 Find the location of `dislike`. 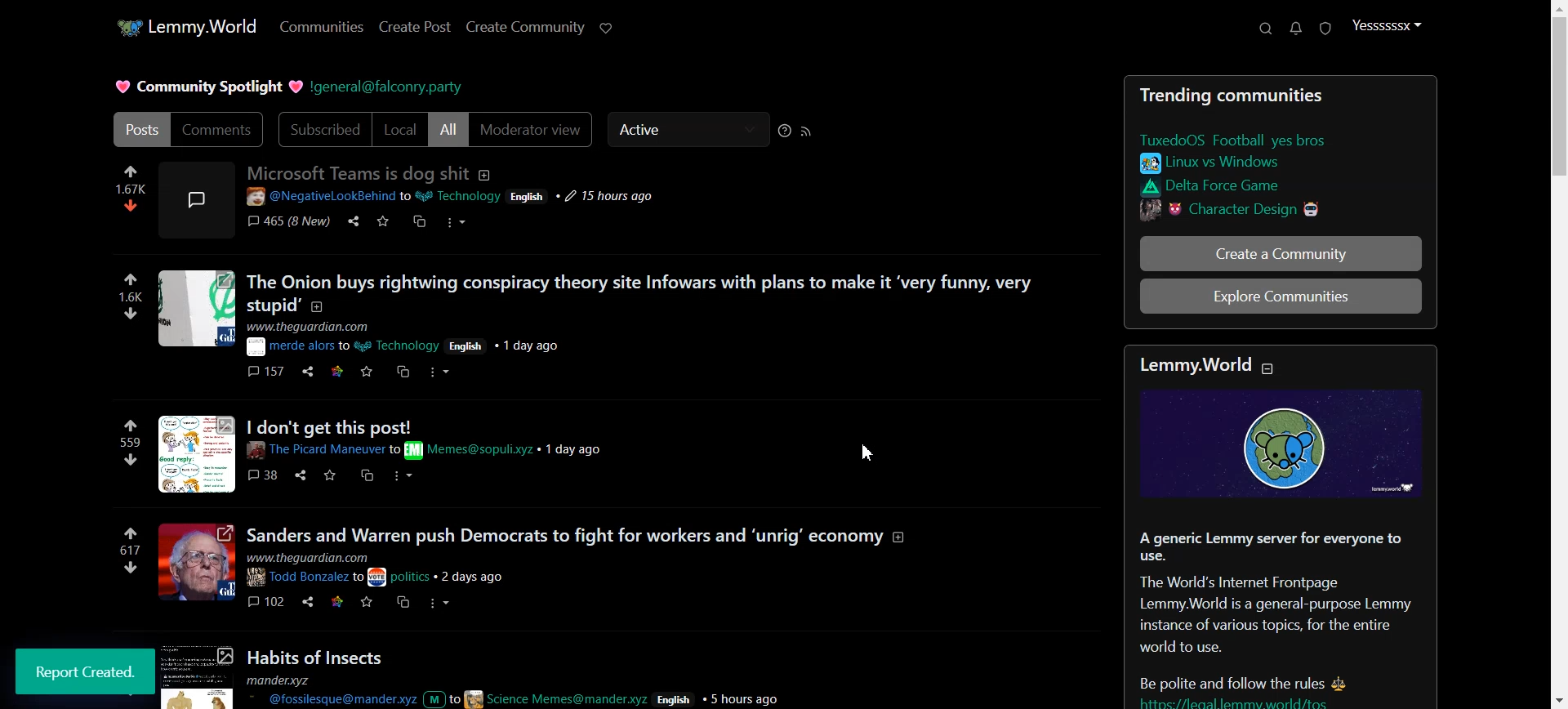

dislike is located at coordinates (131, 569).